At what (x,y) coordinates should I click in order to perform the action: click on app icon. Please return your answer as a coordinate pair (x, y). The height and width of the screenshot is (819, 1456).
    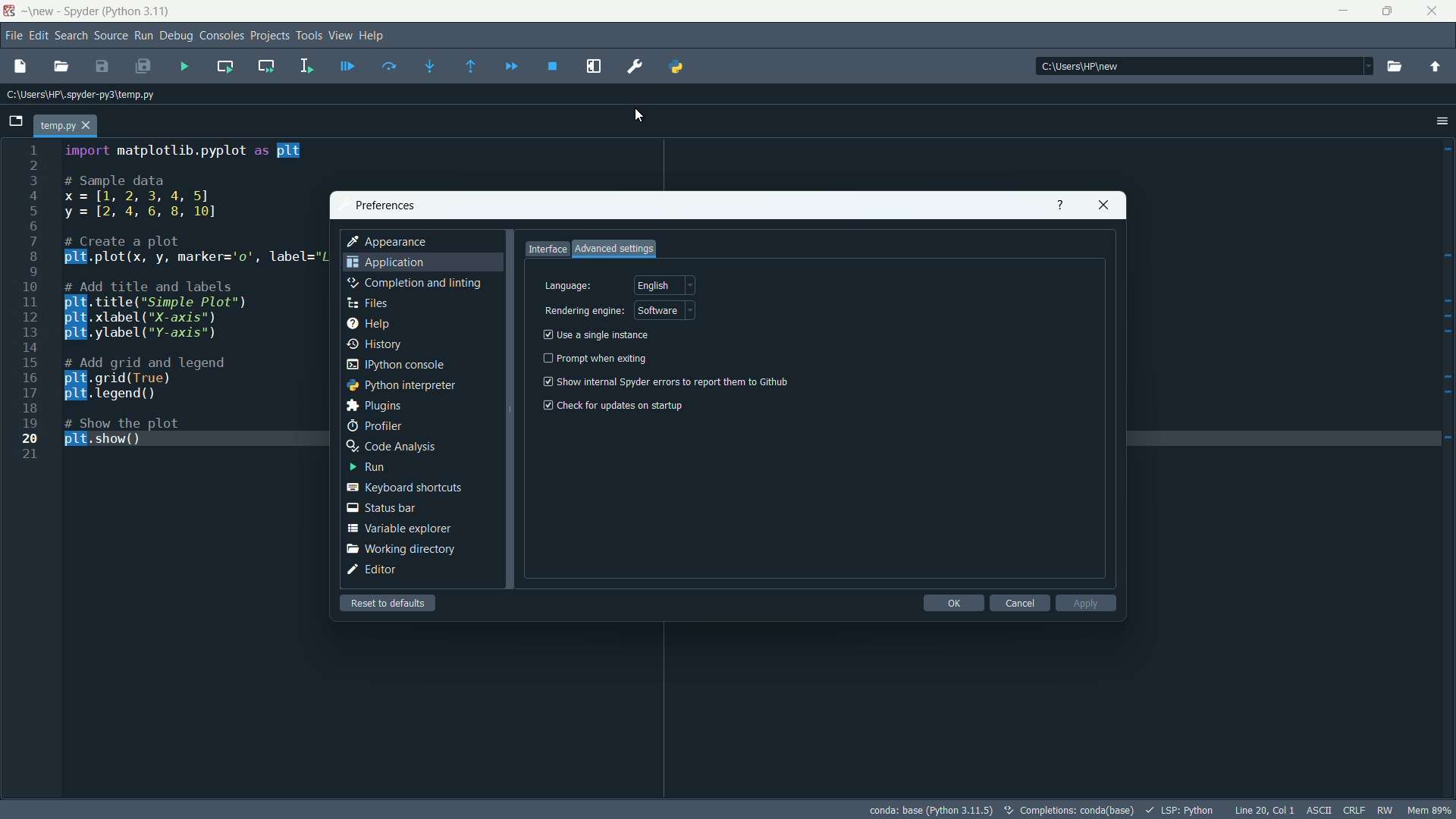
    Looking at the image, I should click on (11, 11).